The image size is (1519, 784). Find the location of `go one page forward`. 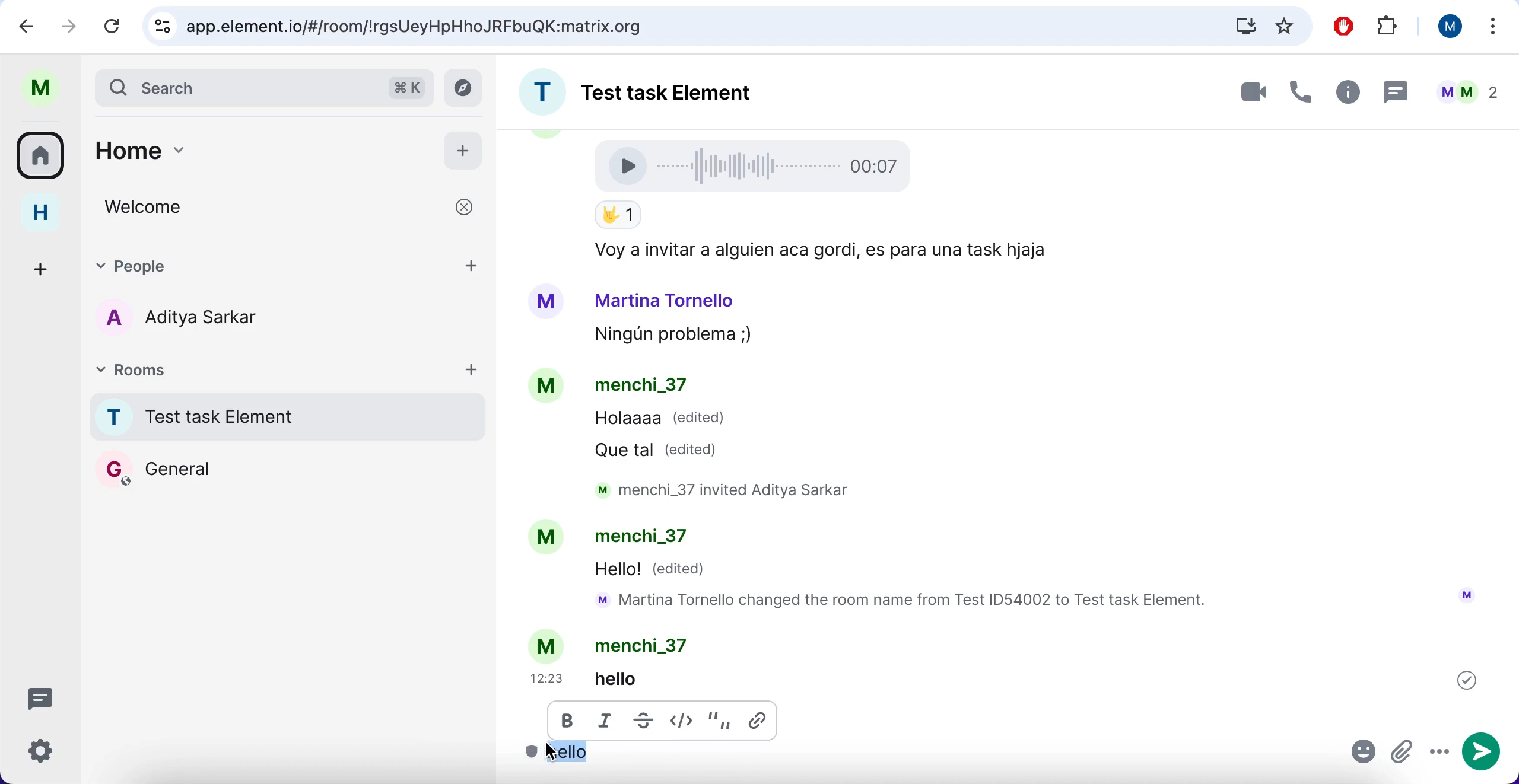

go one page forward is located at coordinates (72, 25).